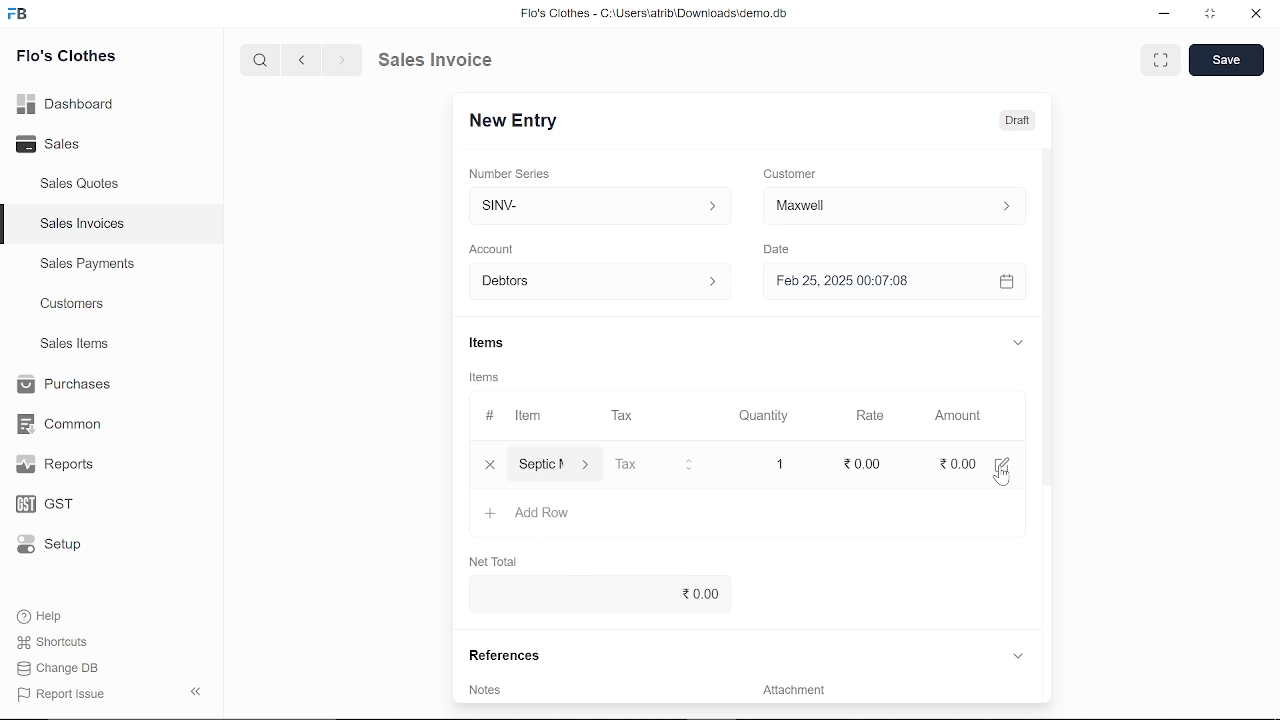 The image size is (1280, 720). Describe the element at coordinates (61, 693) in the screenshot. I see `Report Issue` at that location.